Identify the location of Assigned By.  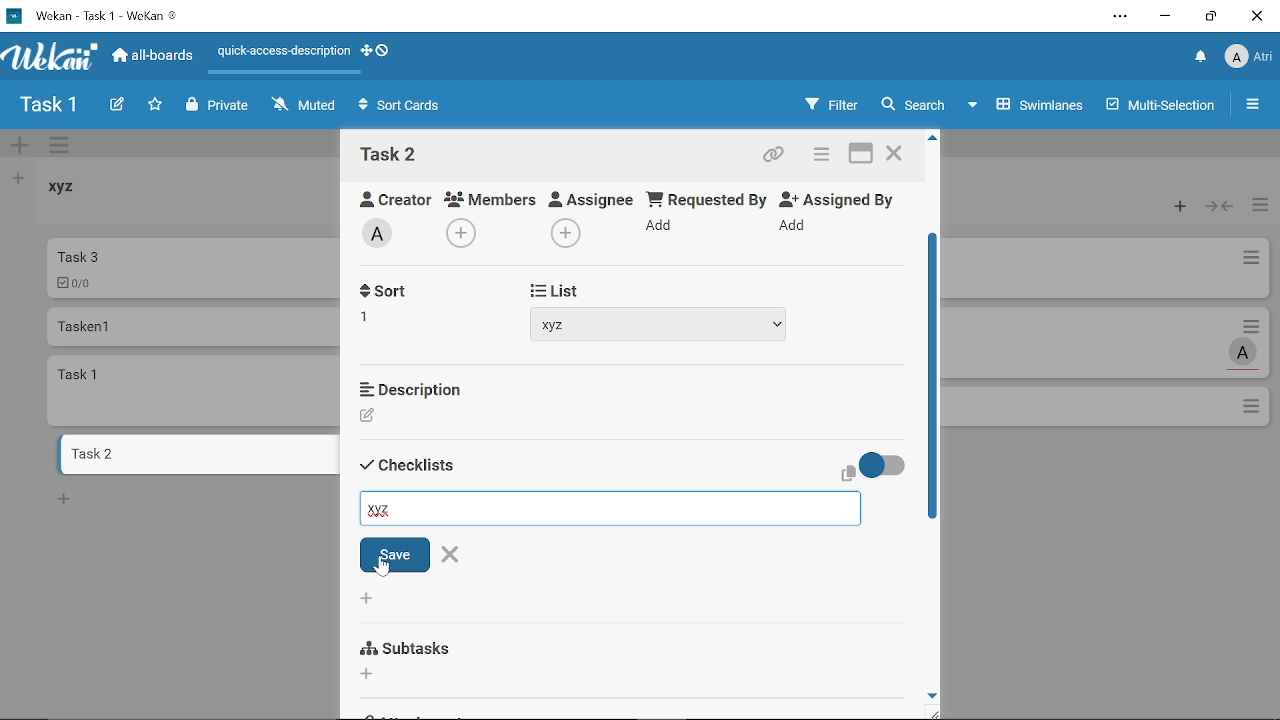
(844, 198).